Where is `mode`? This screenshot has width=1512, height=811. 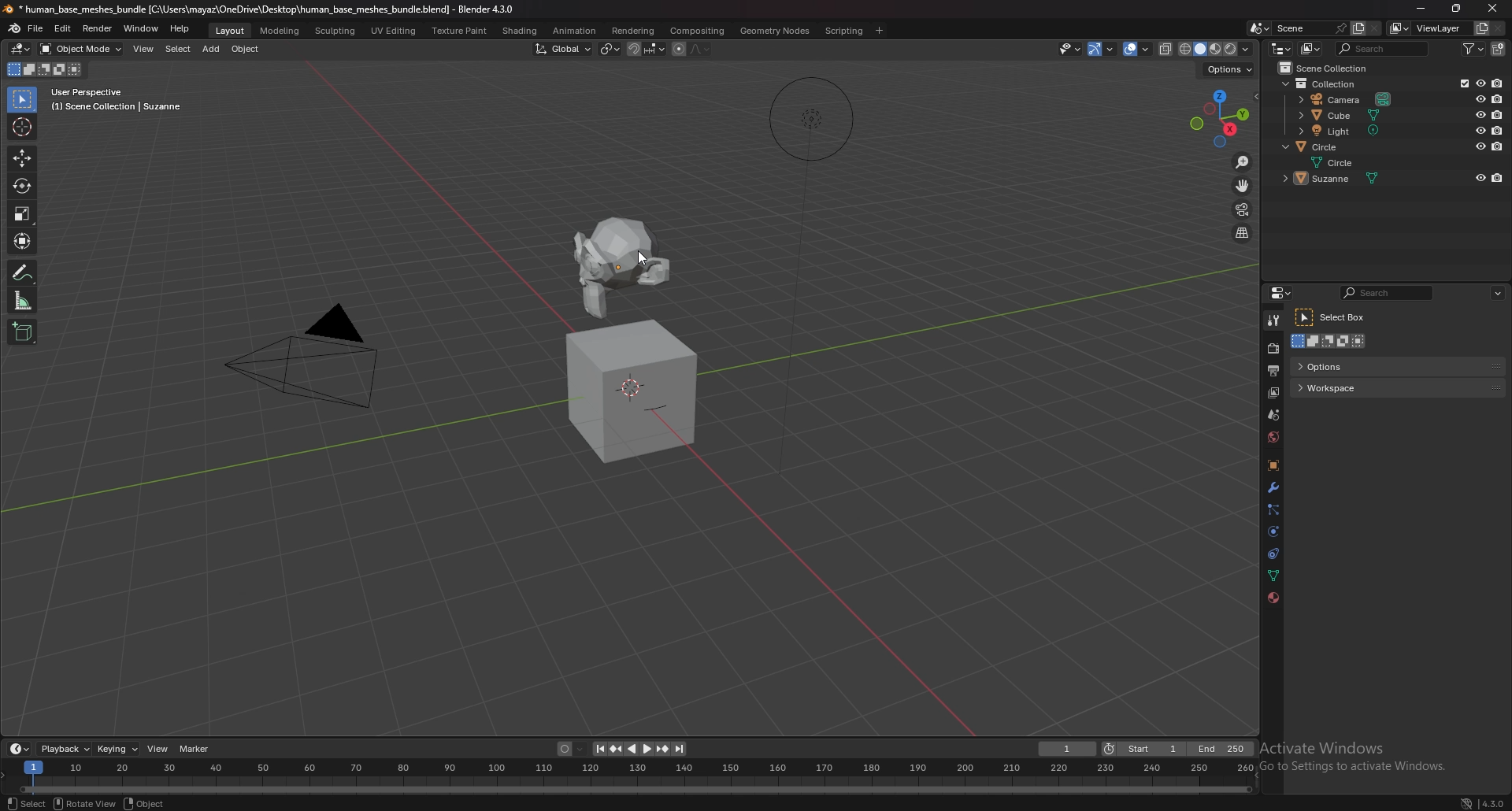 mode is located at coordinates (1331, 343).